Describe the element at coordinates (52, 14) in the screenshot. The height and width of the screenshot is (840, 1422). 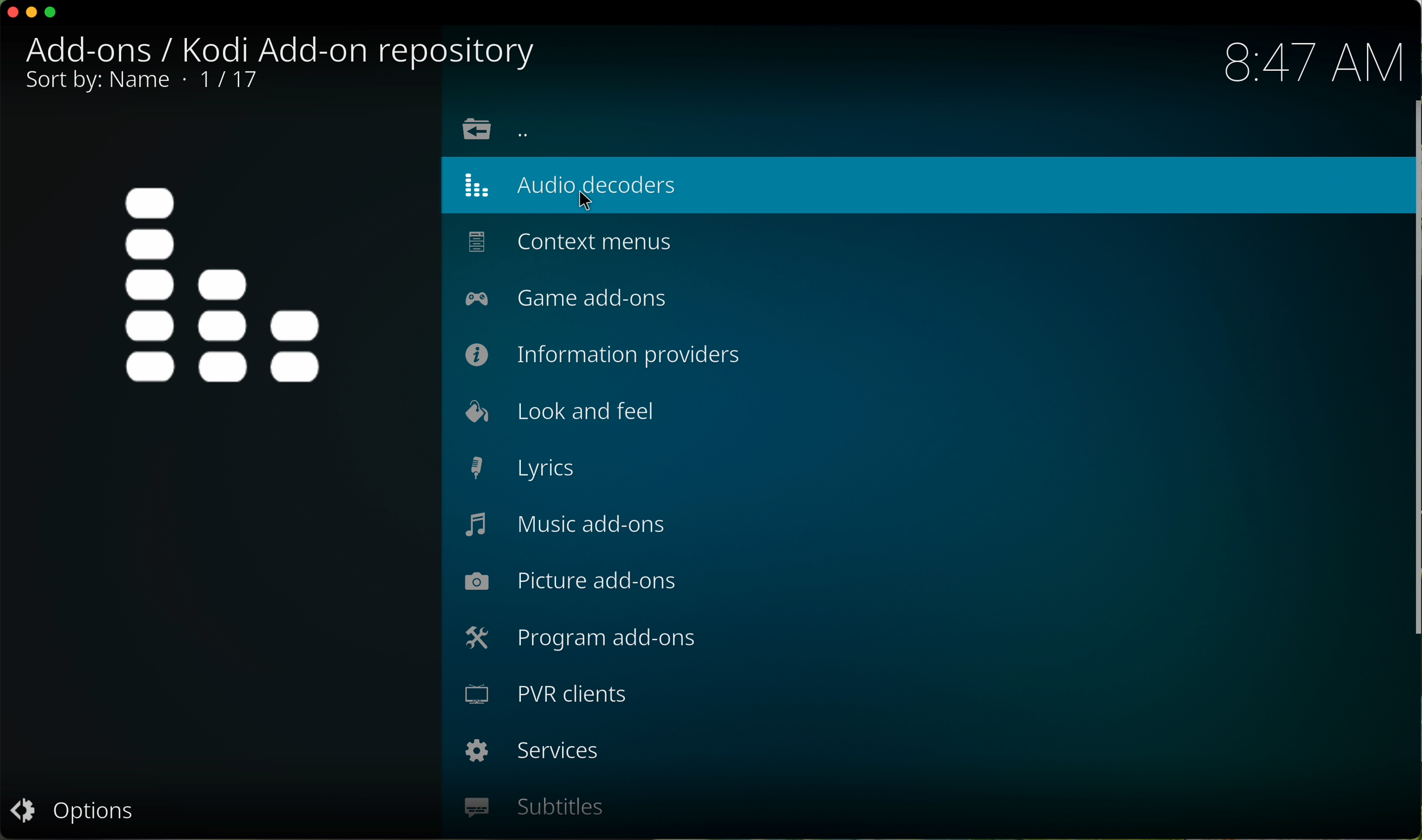
I see `maximize program` at that location.